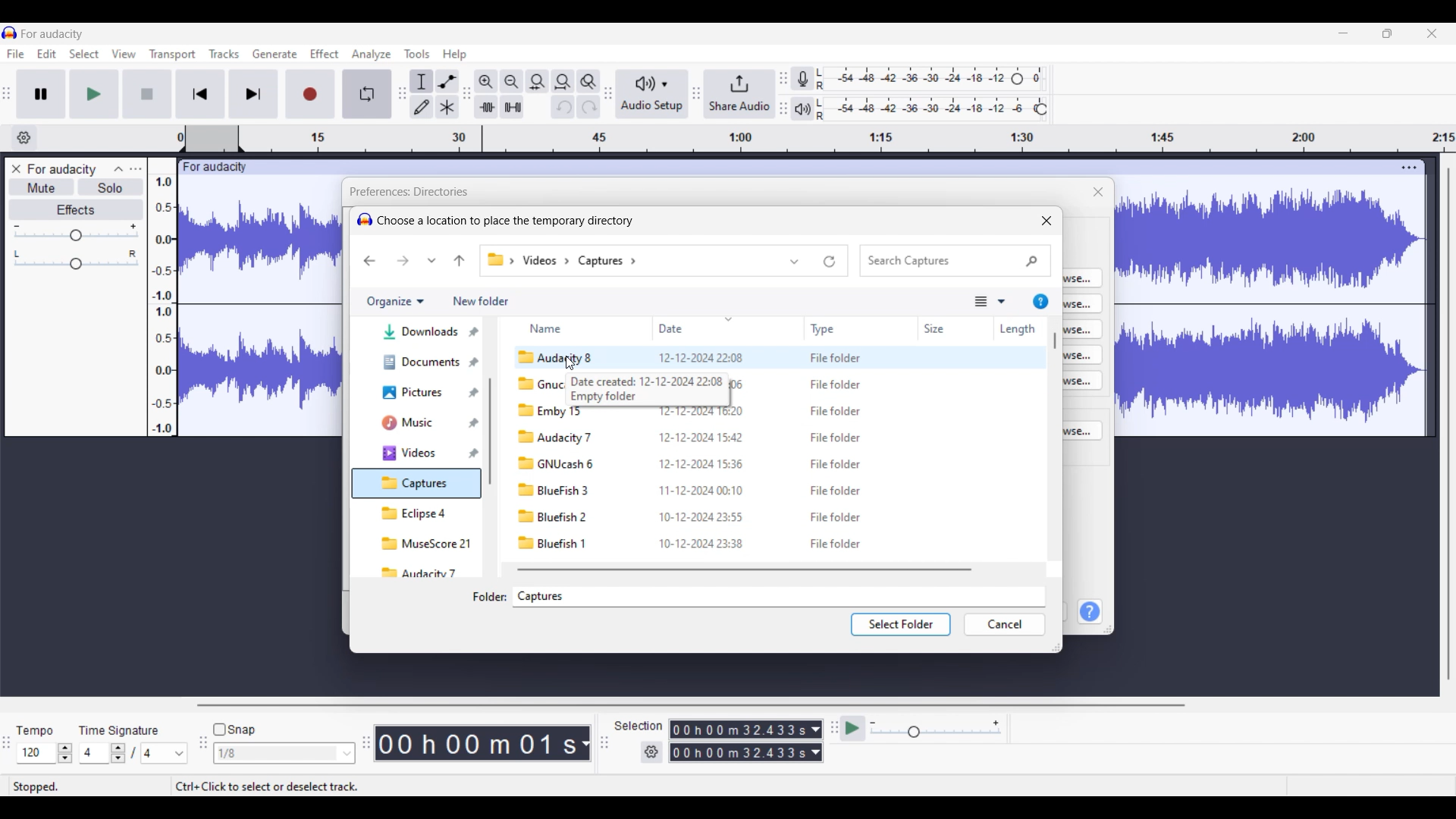 The image size is (1456, 819). I want to click on Organize options, so click(394, 302).